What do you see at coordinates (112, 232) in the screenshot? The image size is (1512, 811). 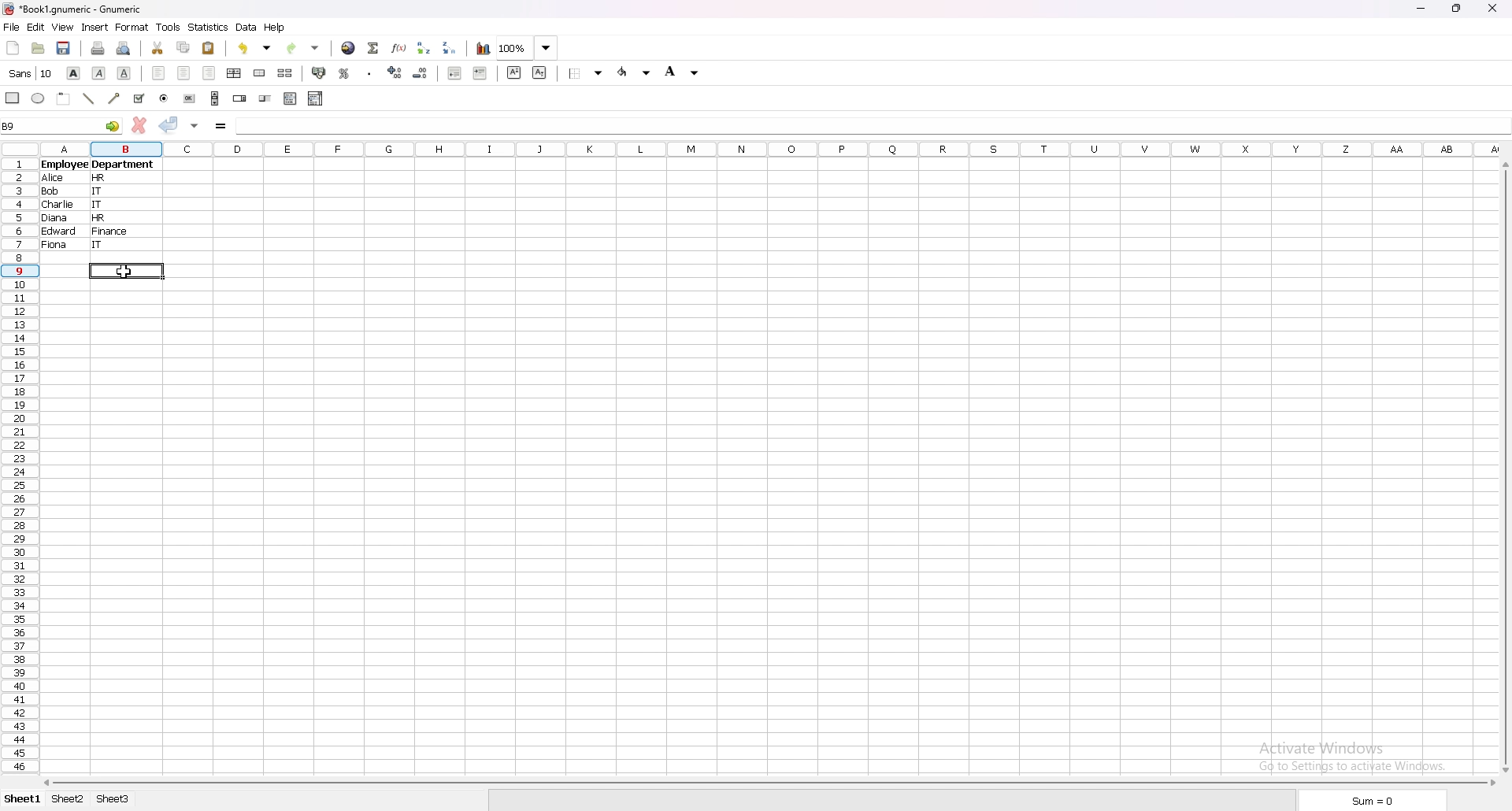 I see `finance` at bounding box center [112, 232].